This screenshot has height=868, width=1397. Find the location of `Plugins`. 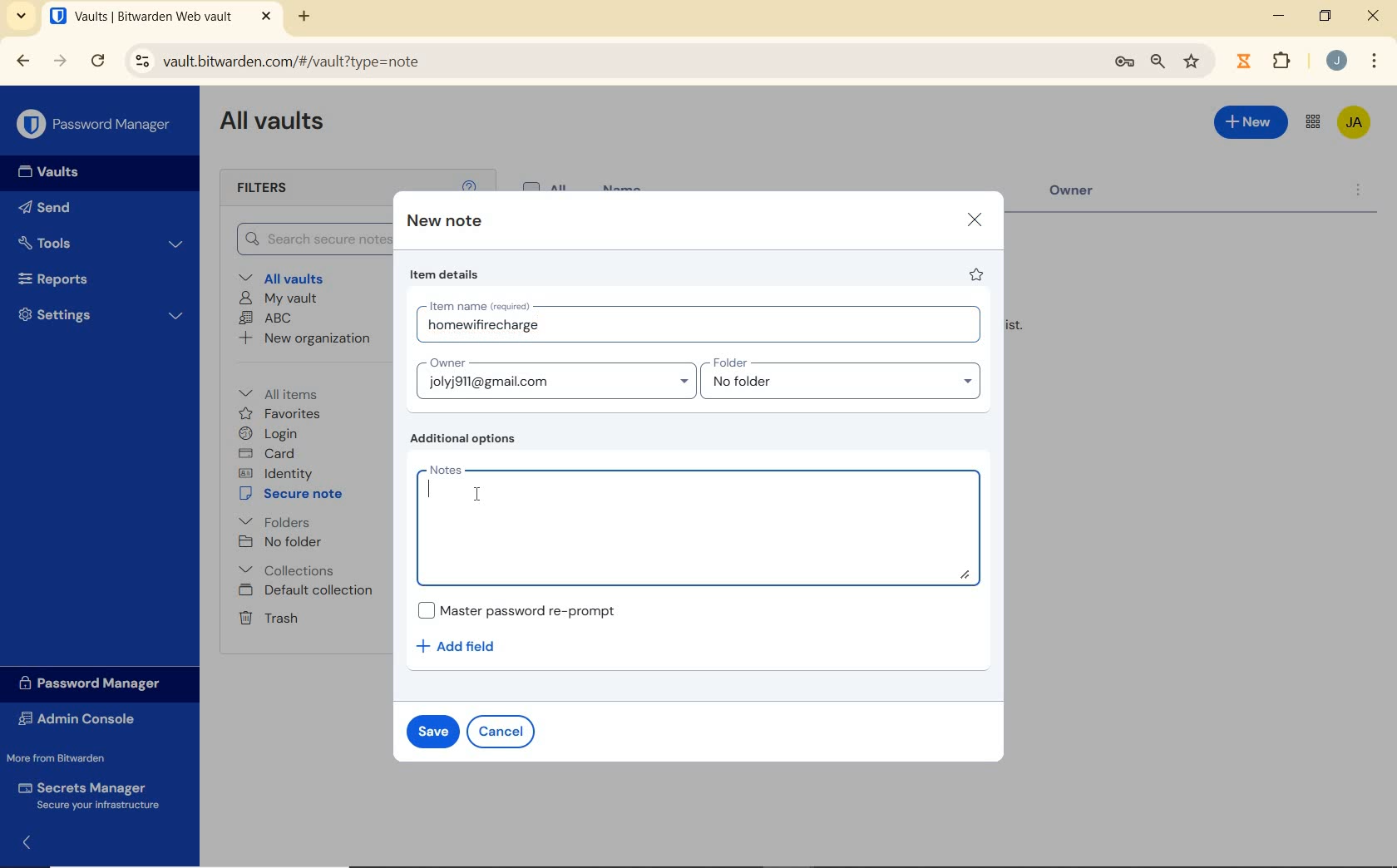

Plugins is located at coordinates (1285, 59).